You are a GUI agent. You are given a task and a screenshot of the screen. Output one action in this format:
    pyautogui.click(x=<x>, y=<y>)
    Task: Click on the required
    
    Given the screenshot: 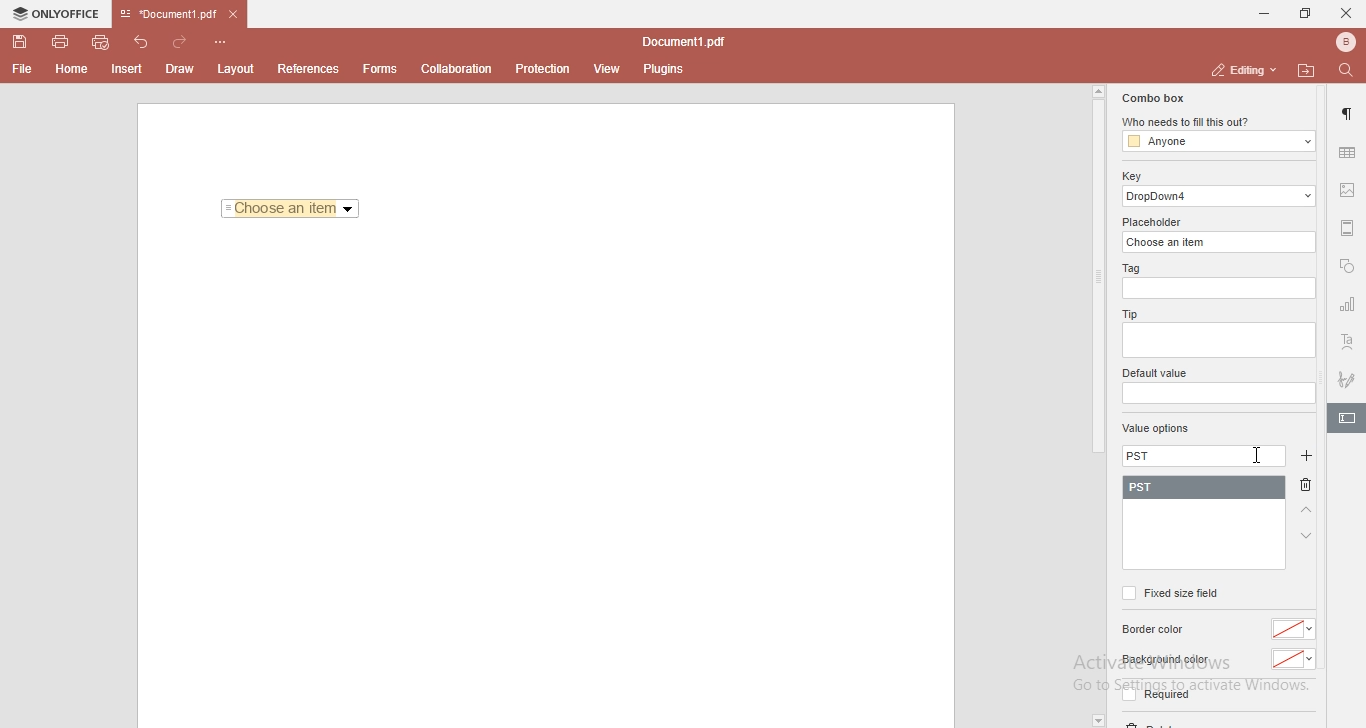 What is the action you would take?
    pyautogui.click(x=1154, y=698)
    